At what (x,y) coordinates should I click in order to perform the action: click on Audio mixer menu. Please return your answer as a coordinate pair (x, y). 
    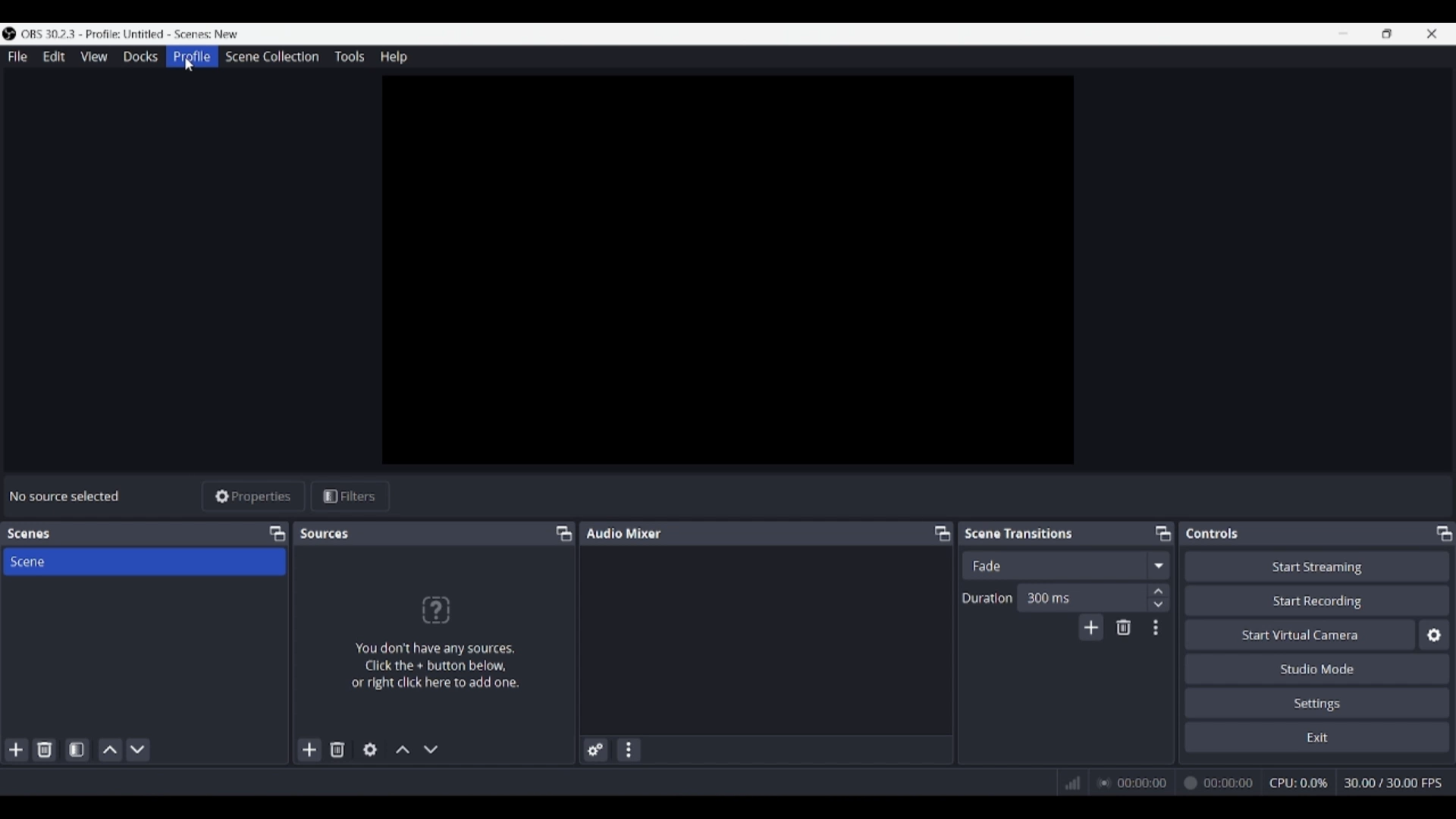
    Looking at the image, I should click on (628, 750).